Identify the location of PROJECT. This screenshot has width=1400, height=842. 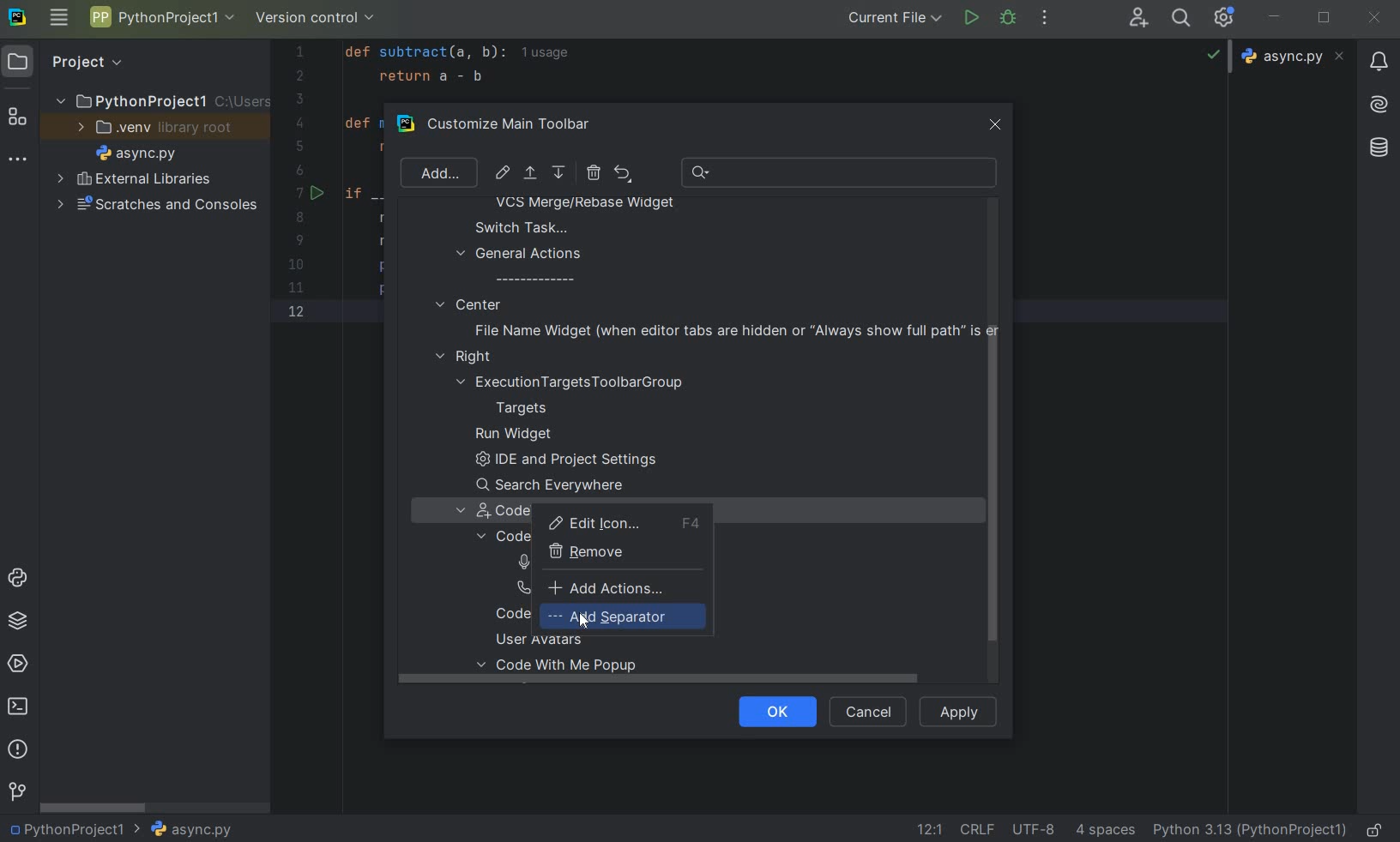
(73, 62).